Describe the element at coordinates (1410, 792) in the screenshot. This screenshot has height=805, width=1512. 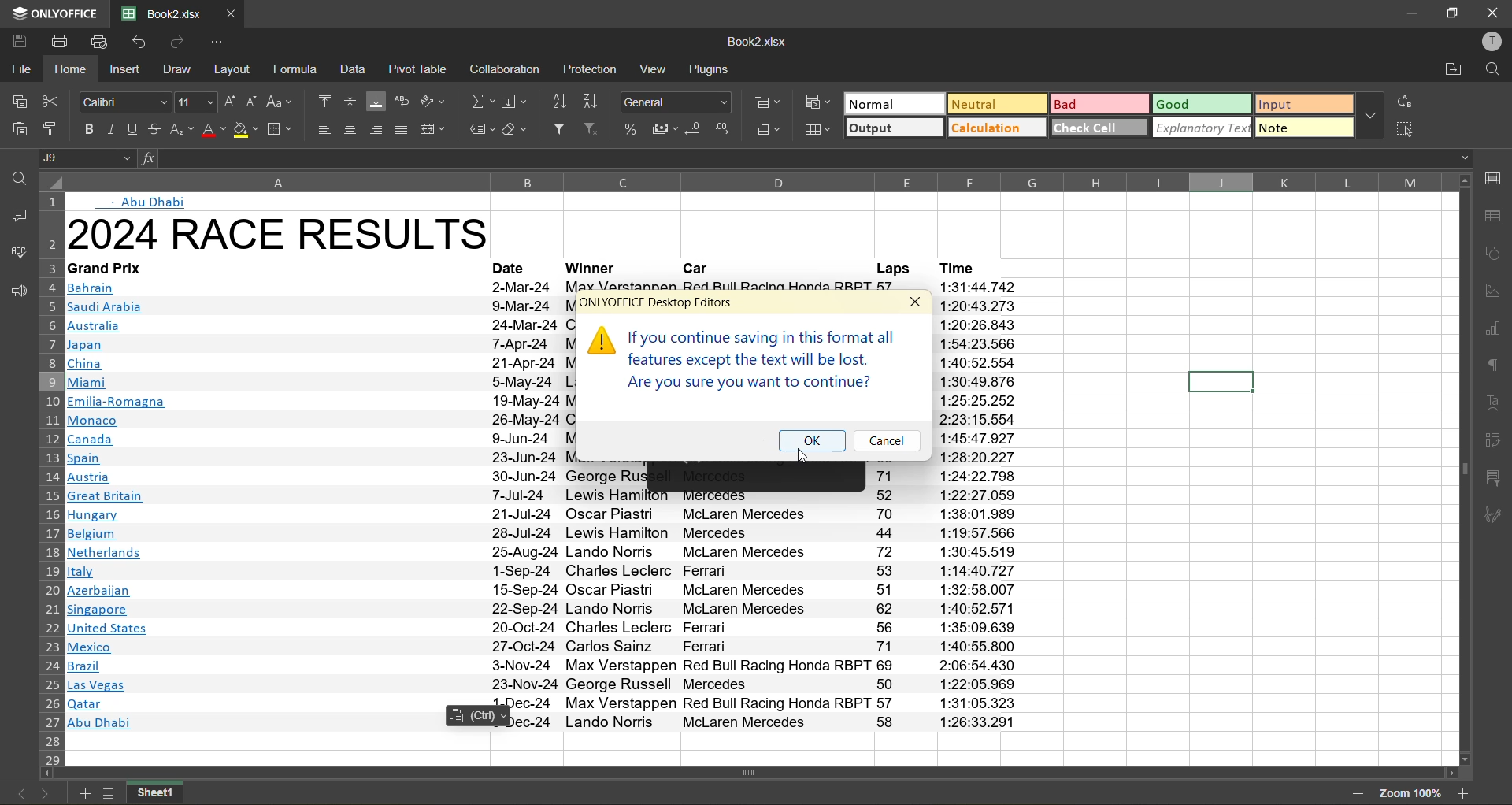
I see `zoom factor` at that location.